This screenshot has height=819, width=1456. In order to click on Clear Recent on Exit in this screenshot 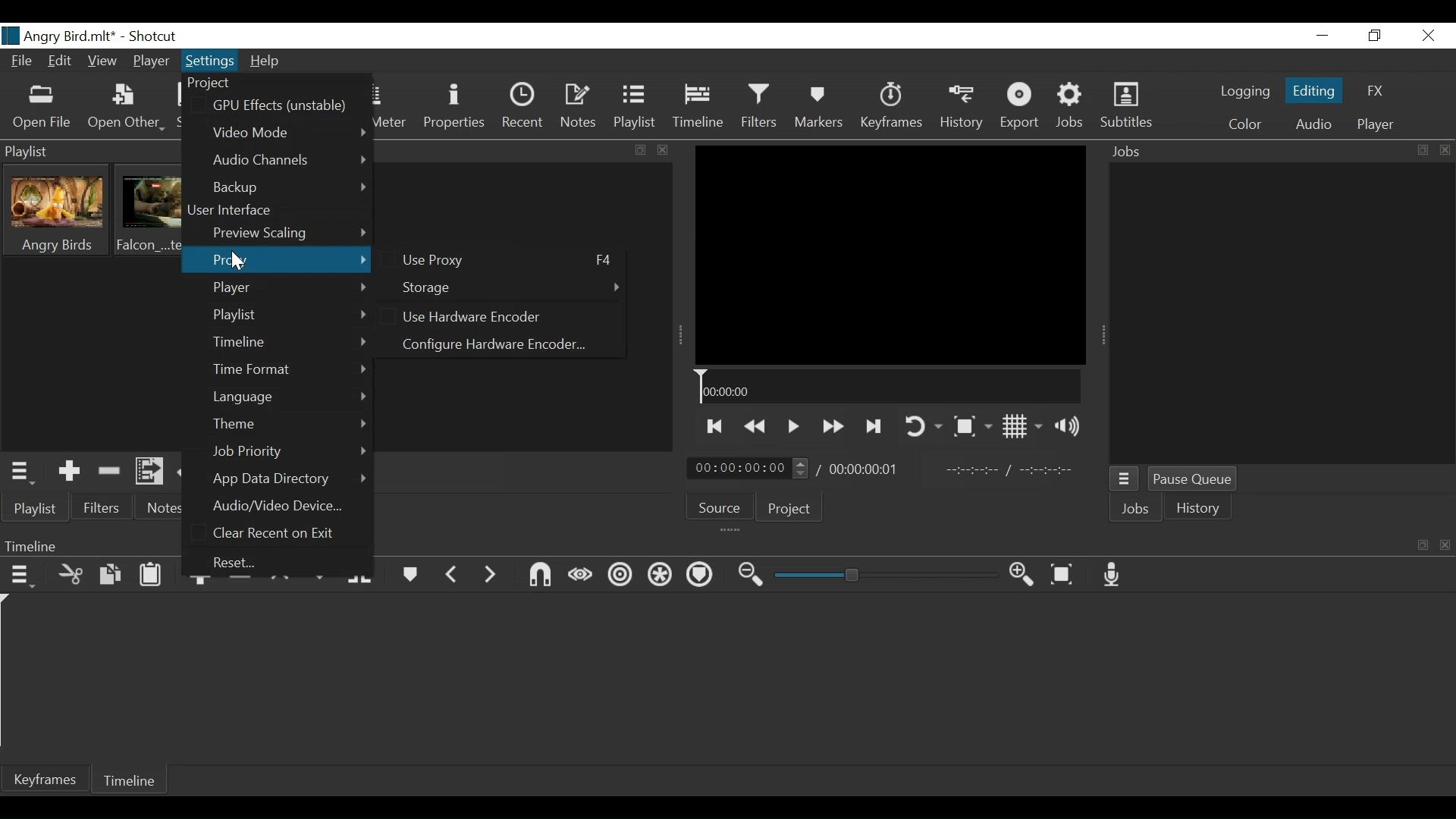, I will do `click(280, 535)`.